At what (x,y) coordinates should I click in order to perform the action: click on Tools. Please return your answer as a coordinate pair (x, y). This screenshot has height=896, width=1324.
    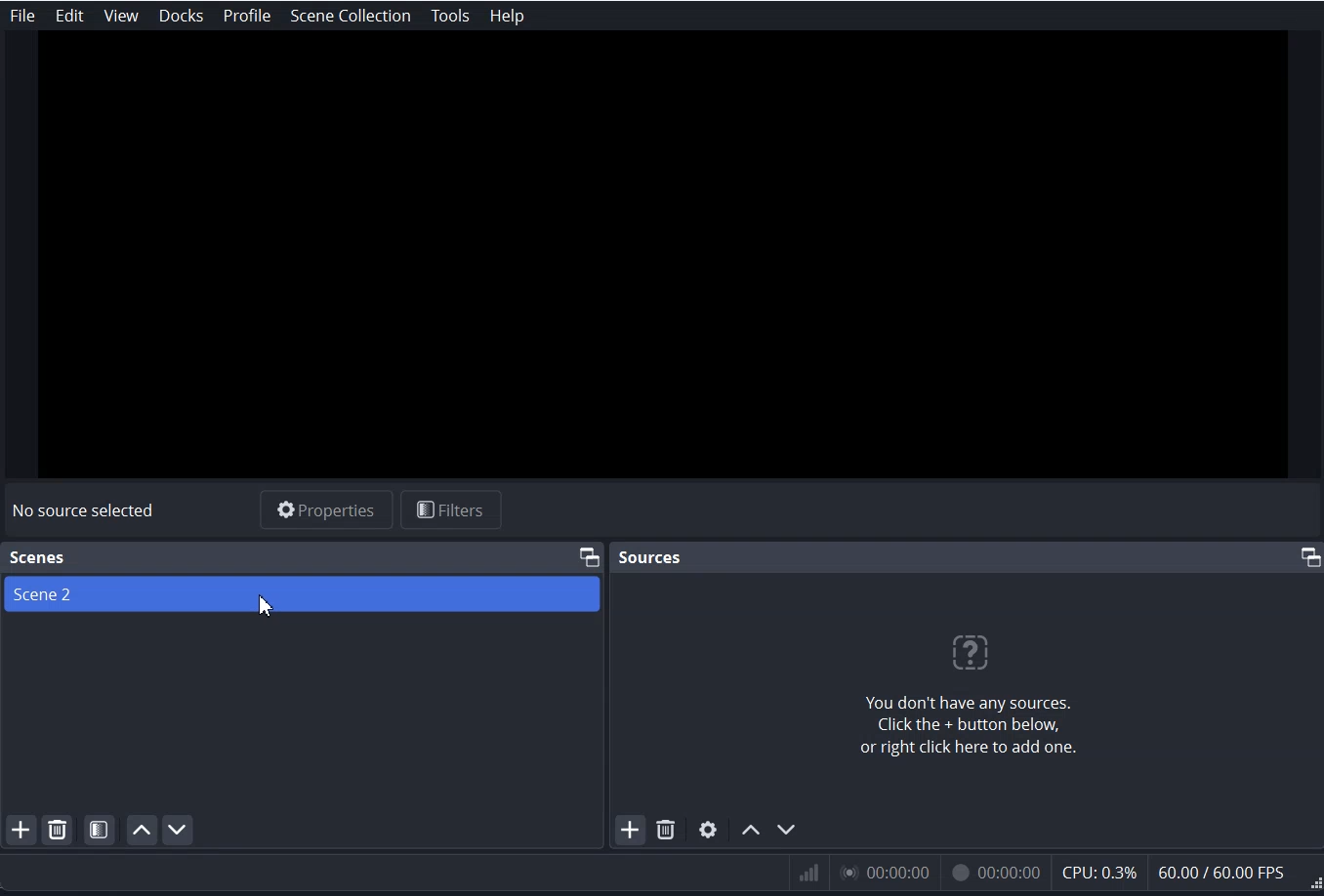
    Looking at the image, I should click on (449, 16).